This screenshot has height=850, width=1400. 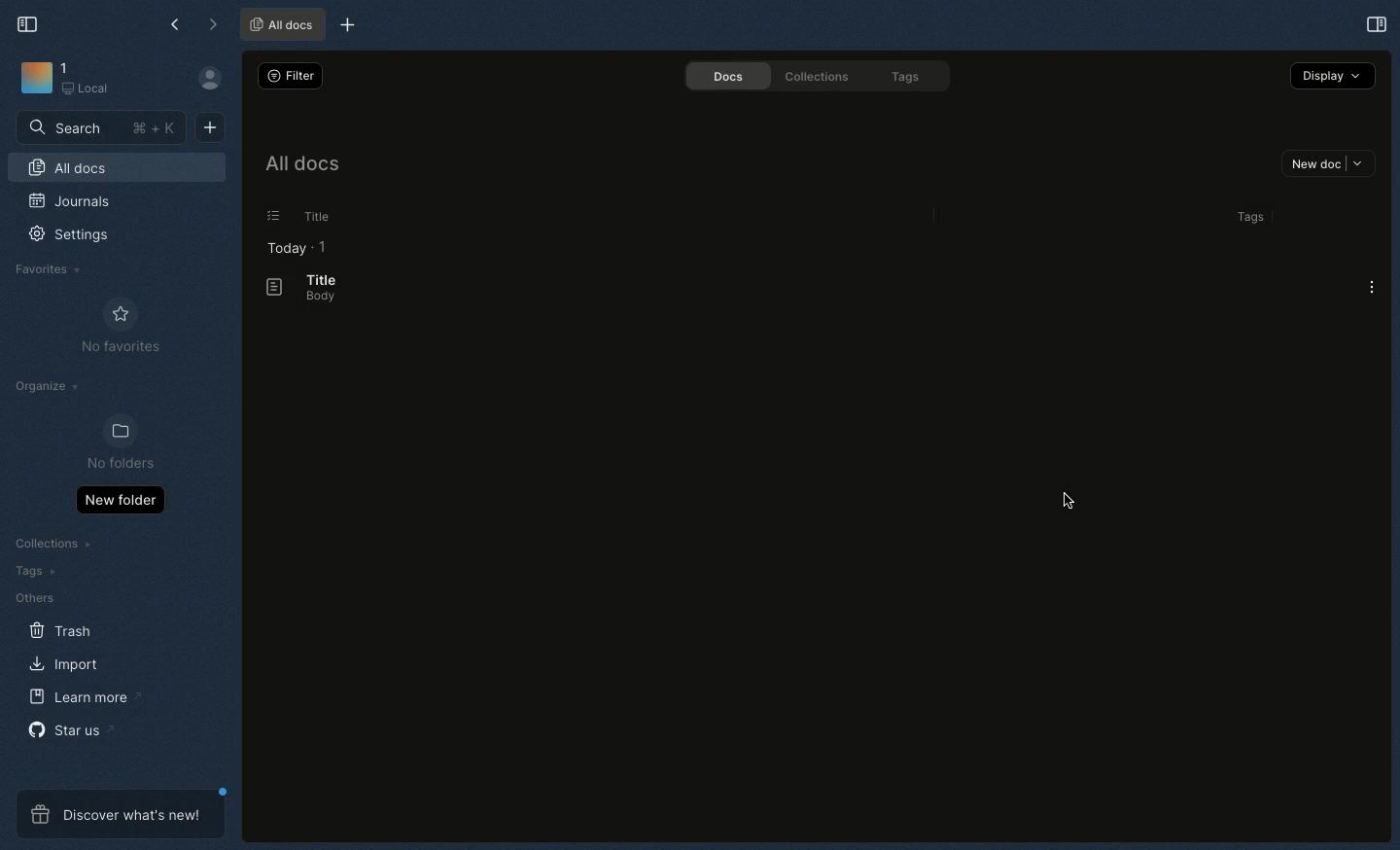 I want to click on New doc, so click(x=210, y=125).